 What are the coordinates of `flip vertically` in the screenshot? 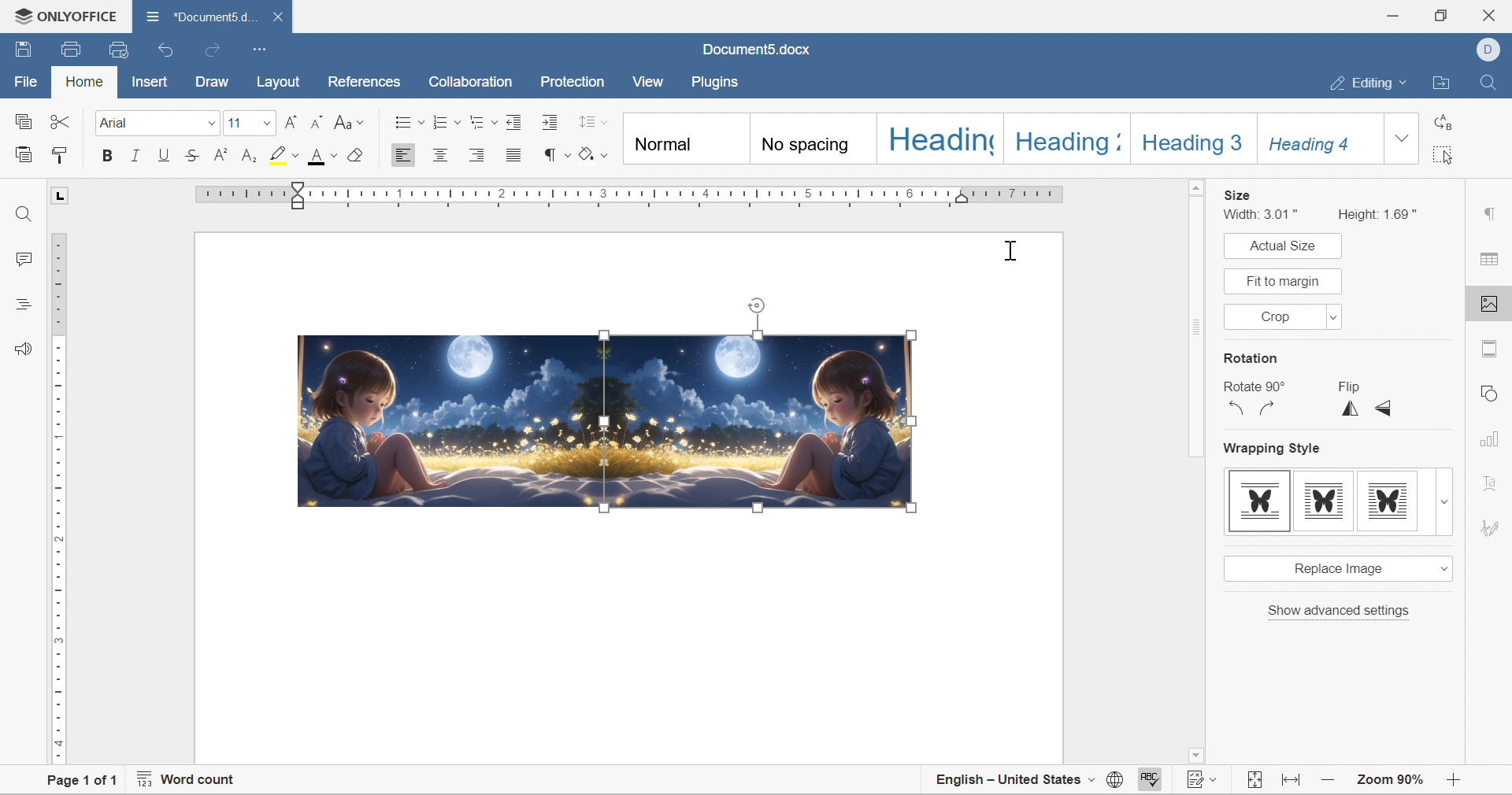 It's located at (1351, 409).